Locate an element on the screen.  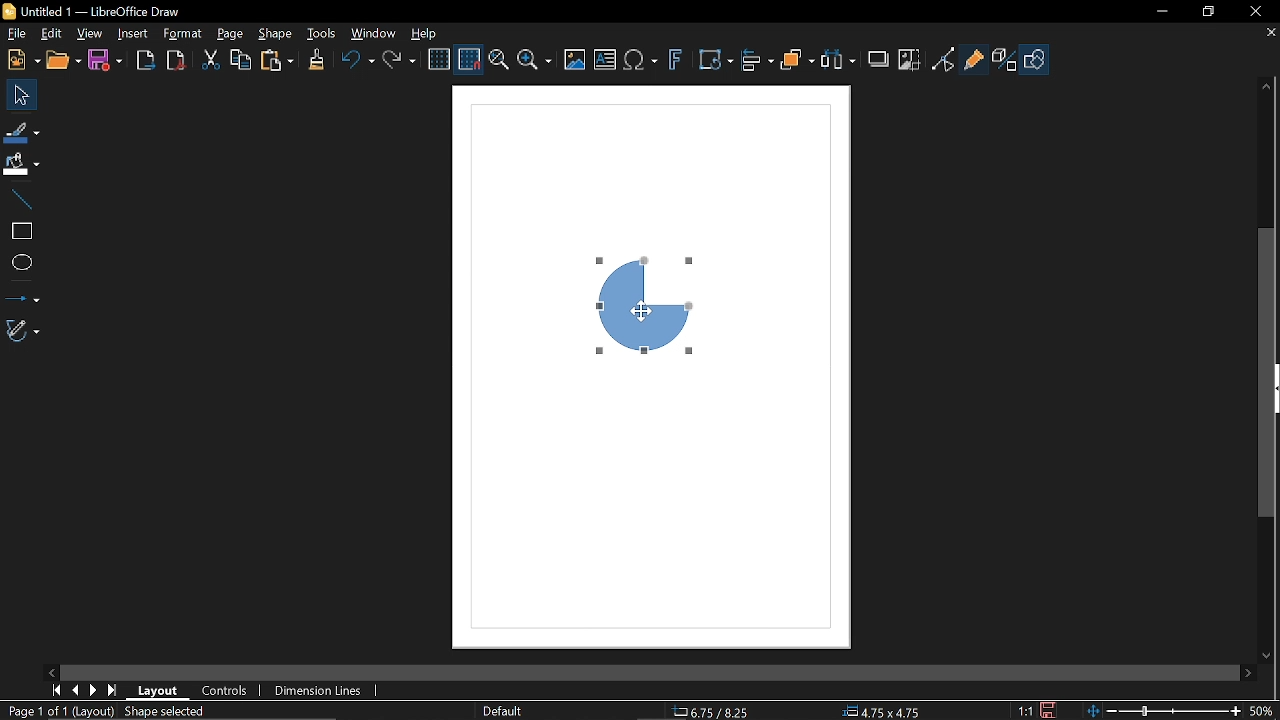
Toggle ectrusion is located at coordinates (1005, 60).